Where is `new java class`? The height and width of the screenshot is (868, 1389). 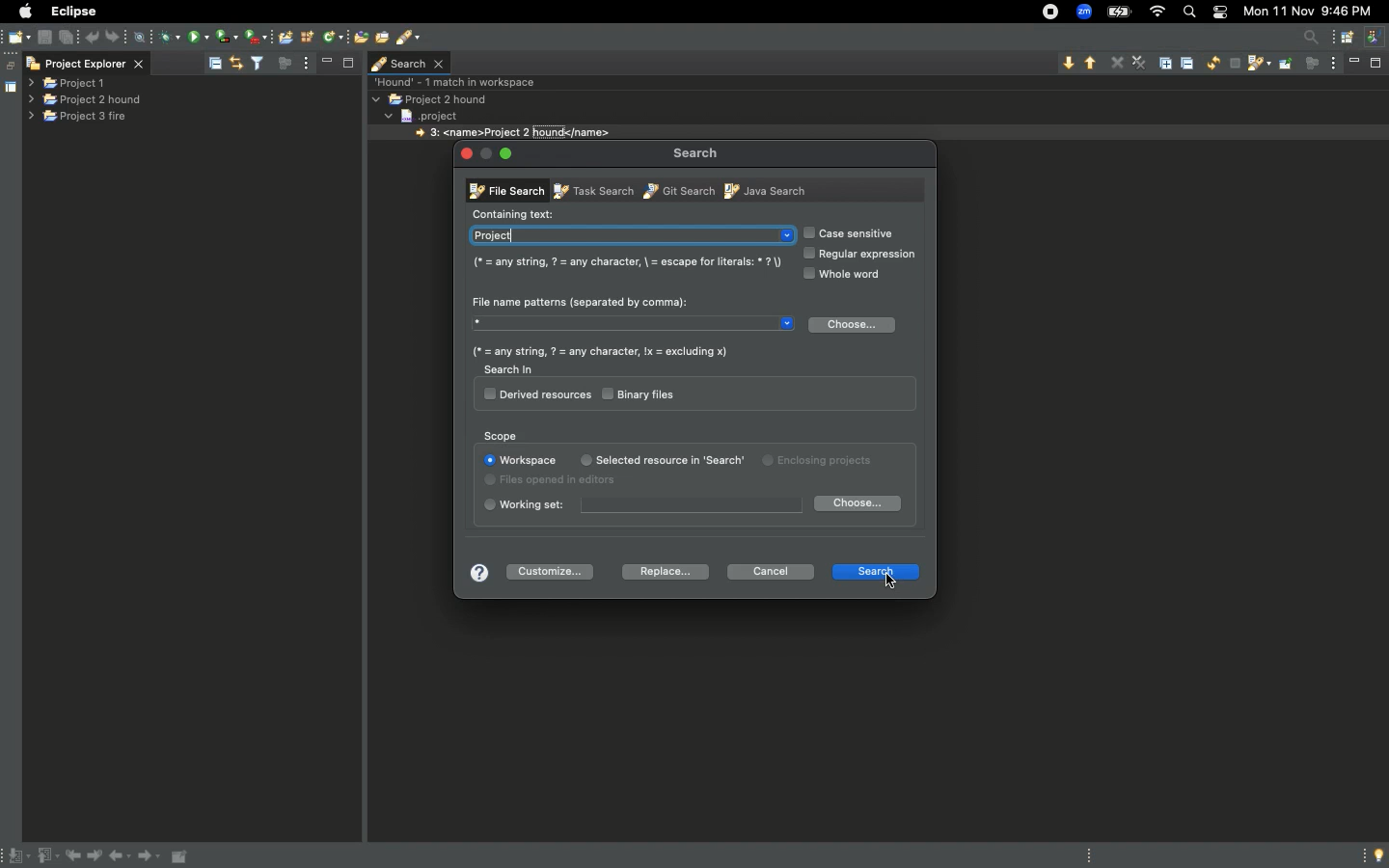 new java class is located at coordinates (333, 38).